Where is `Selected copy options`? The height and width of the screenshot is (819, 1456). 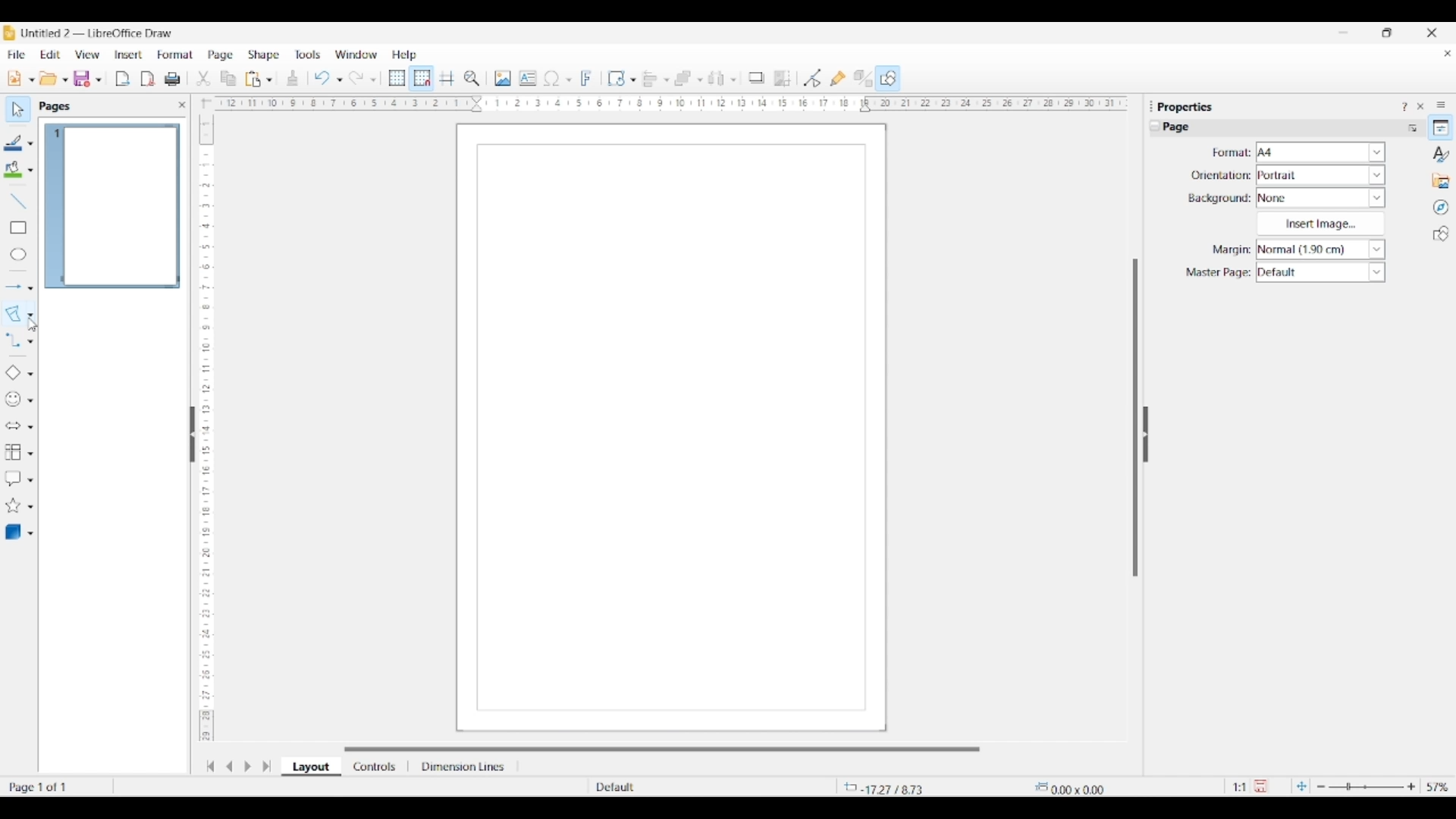 Selected copy options is located at coordinates (203, 79).